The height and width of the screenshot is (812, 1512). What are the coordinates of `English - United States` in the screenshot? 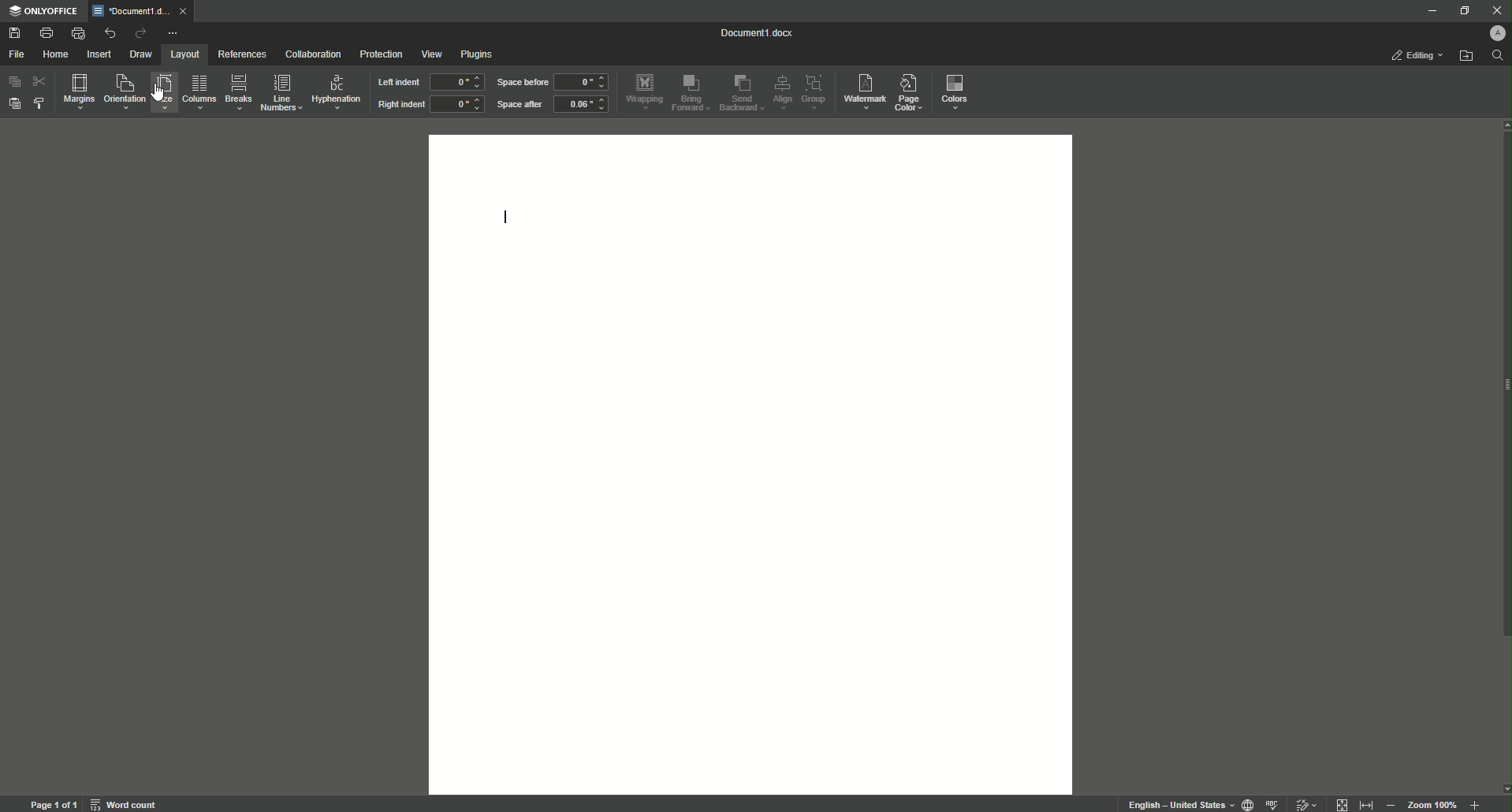 It's located at (1173, 802).